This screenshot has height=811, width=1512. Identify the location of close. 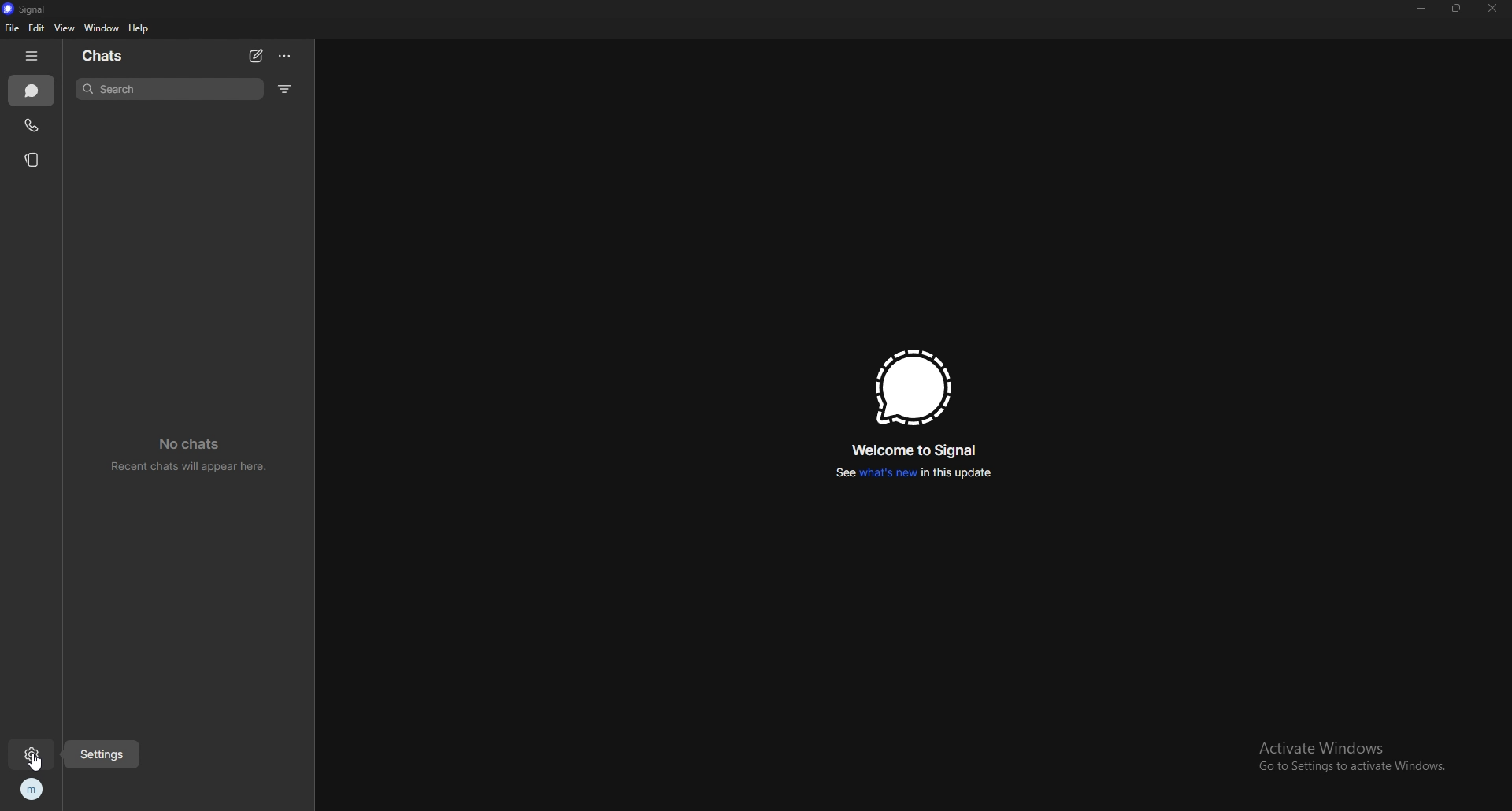
(1492, 9).